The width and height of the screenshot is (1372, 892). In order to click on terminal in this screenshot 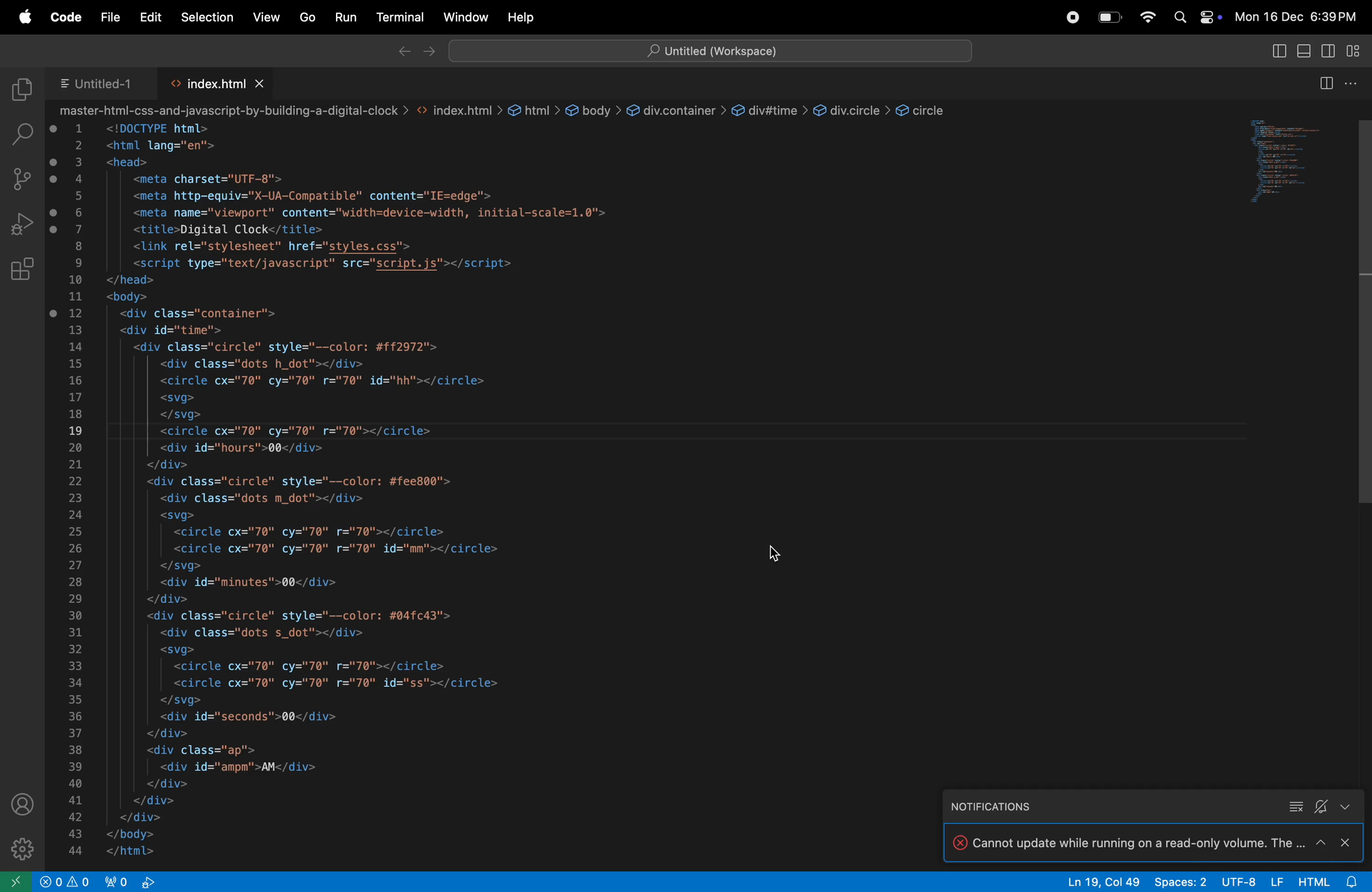, I will do `click(402, 16)`.